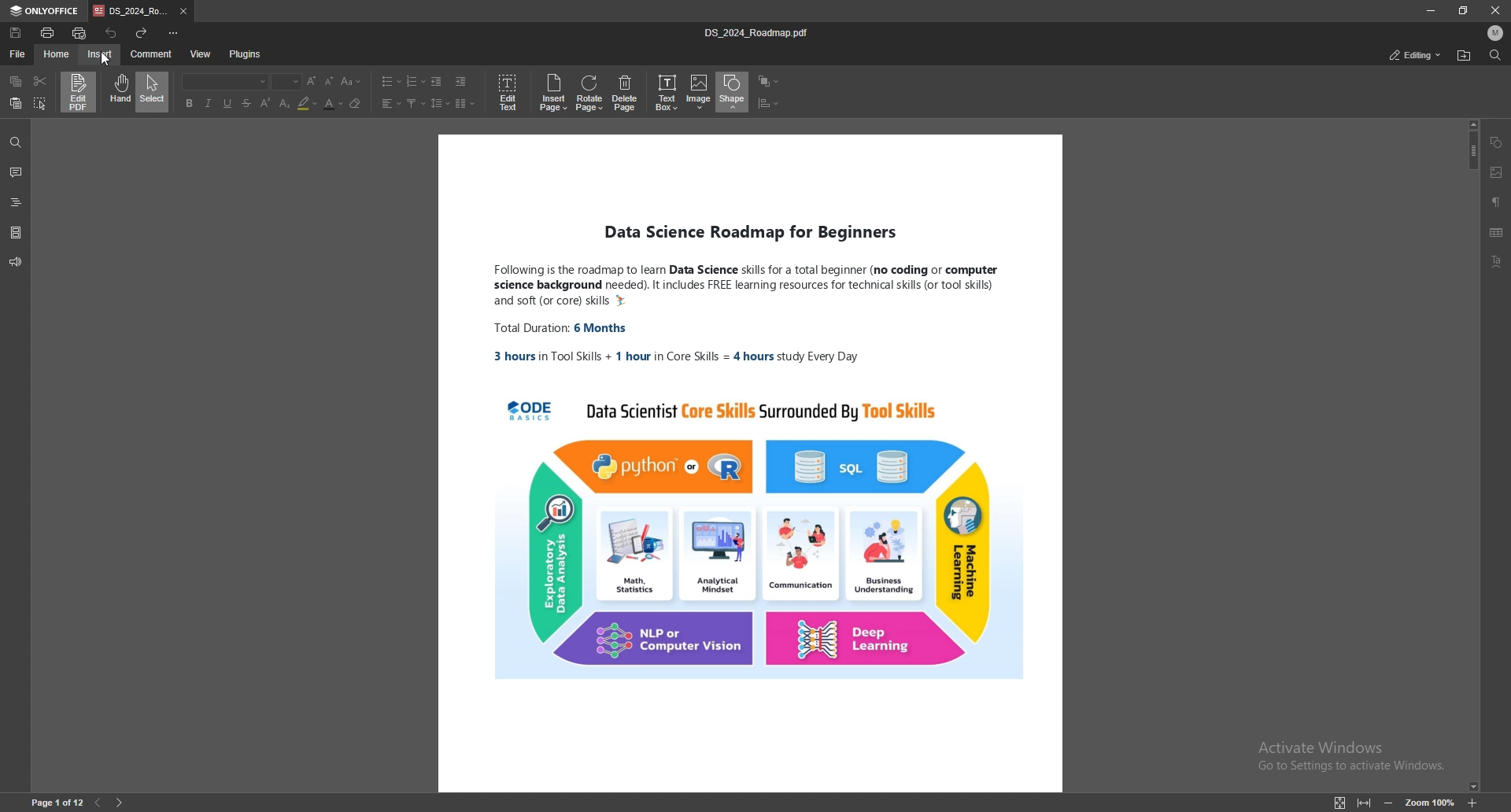 The image size is (1511, 812). I want to click on minimize, so click(1429, 10).